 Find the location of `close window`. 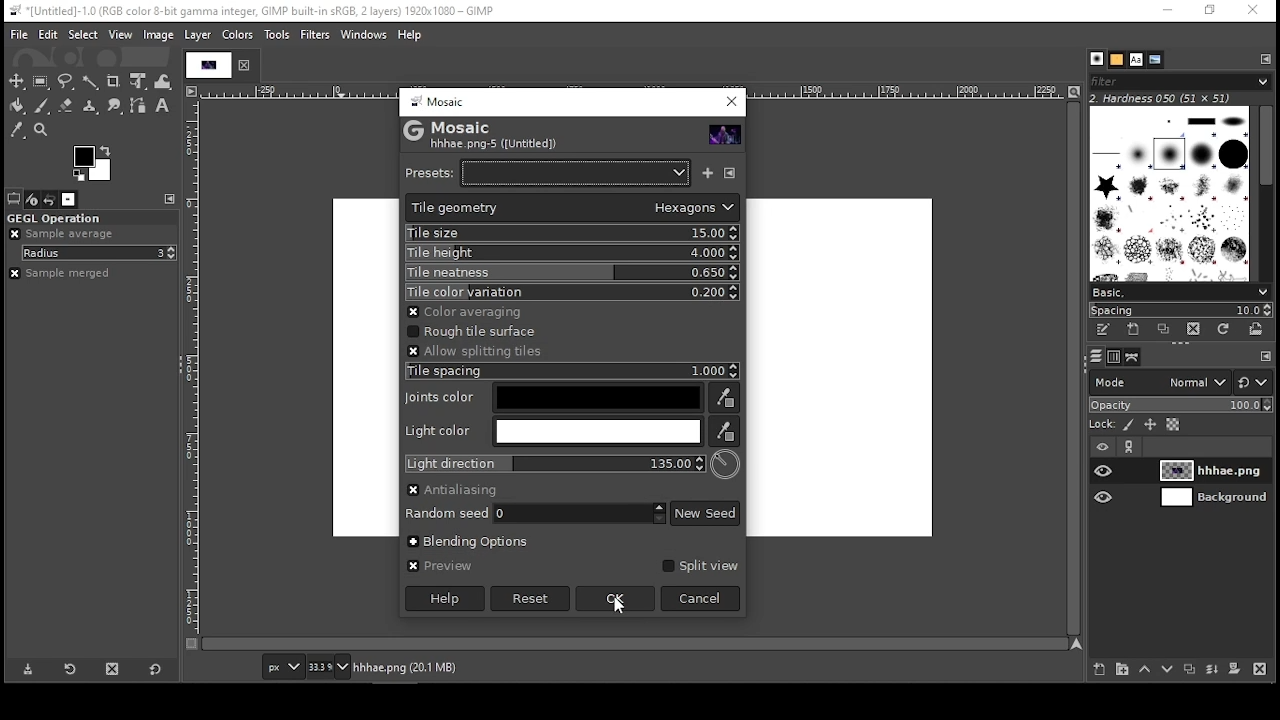

close window is located at coordinates (1254, 10).